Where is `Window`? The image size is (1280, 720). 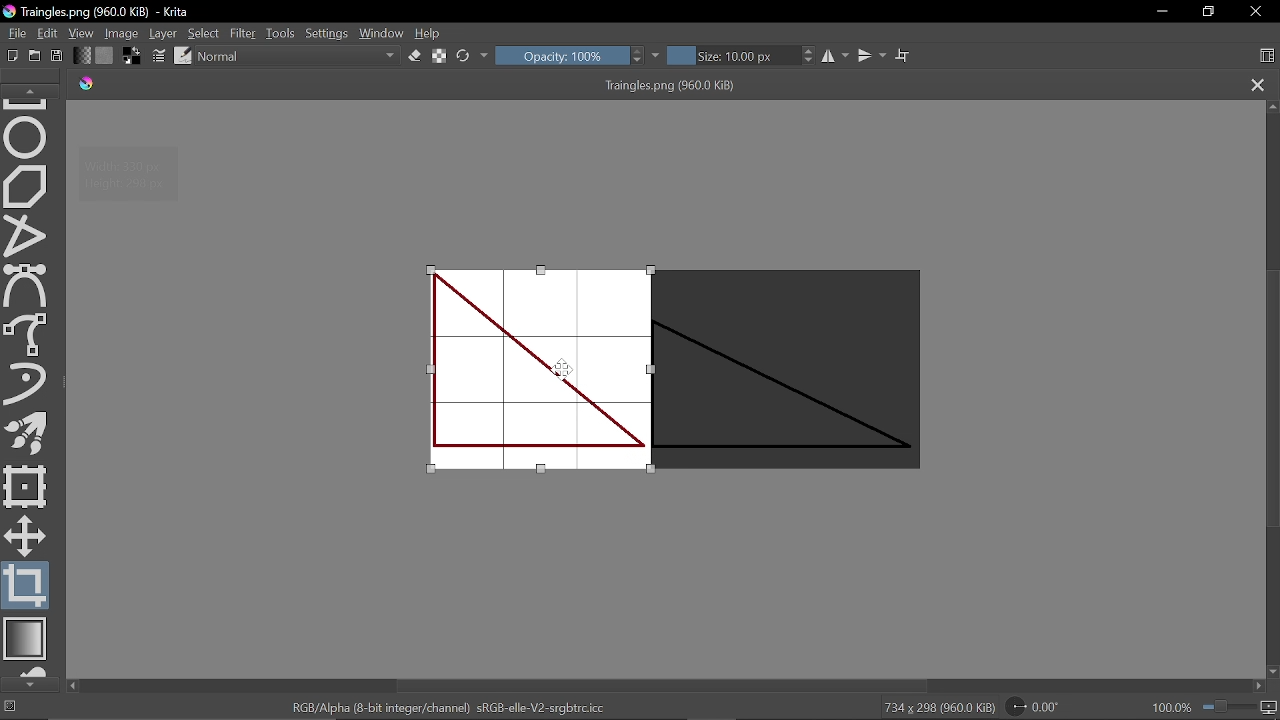
Window is located at coordinates (382, 33).